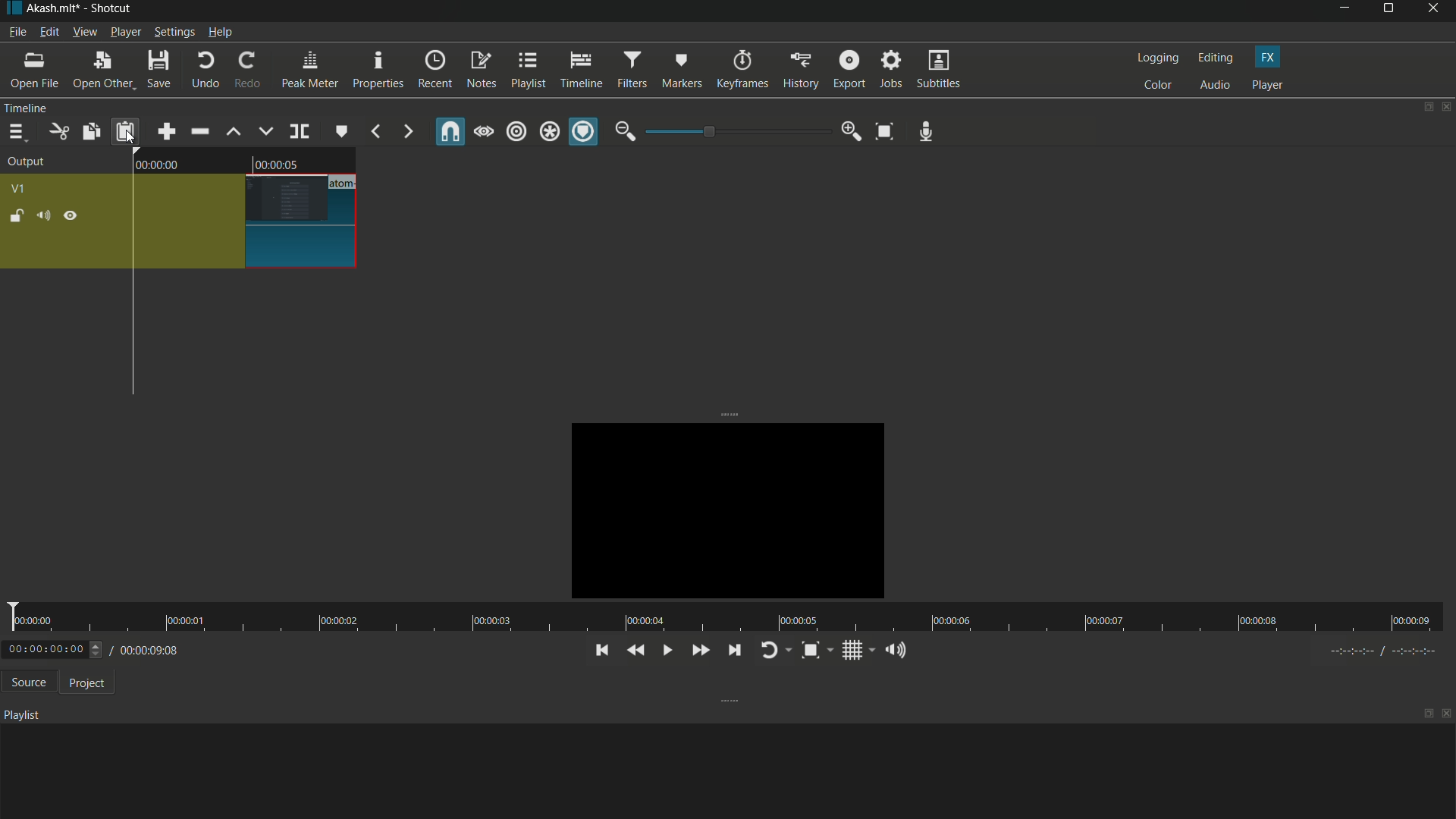 This screenshot has height=819, width=1456. What do you see at coordinates (800, 71) in the screenshot?
I see `history` at bounding box center [800, 71].